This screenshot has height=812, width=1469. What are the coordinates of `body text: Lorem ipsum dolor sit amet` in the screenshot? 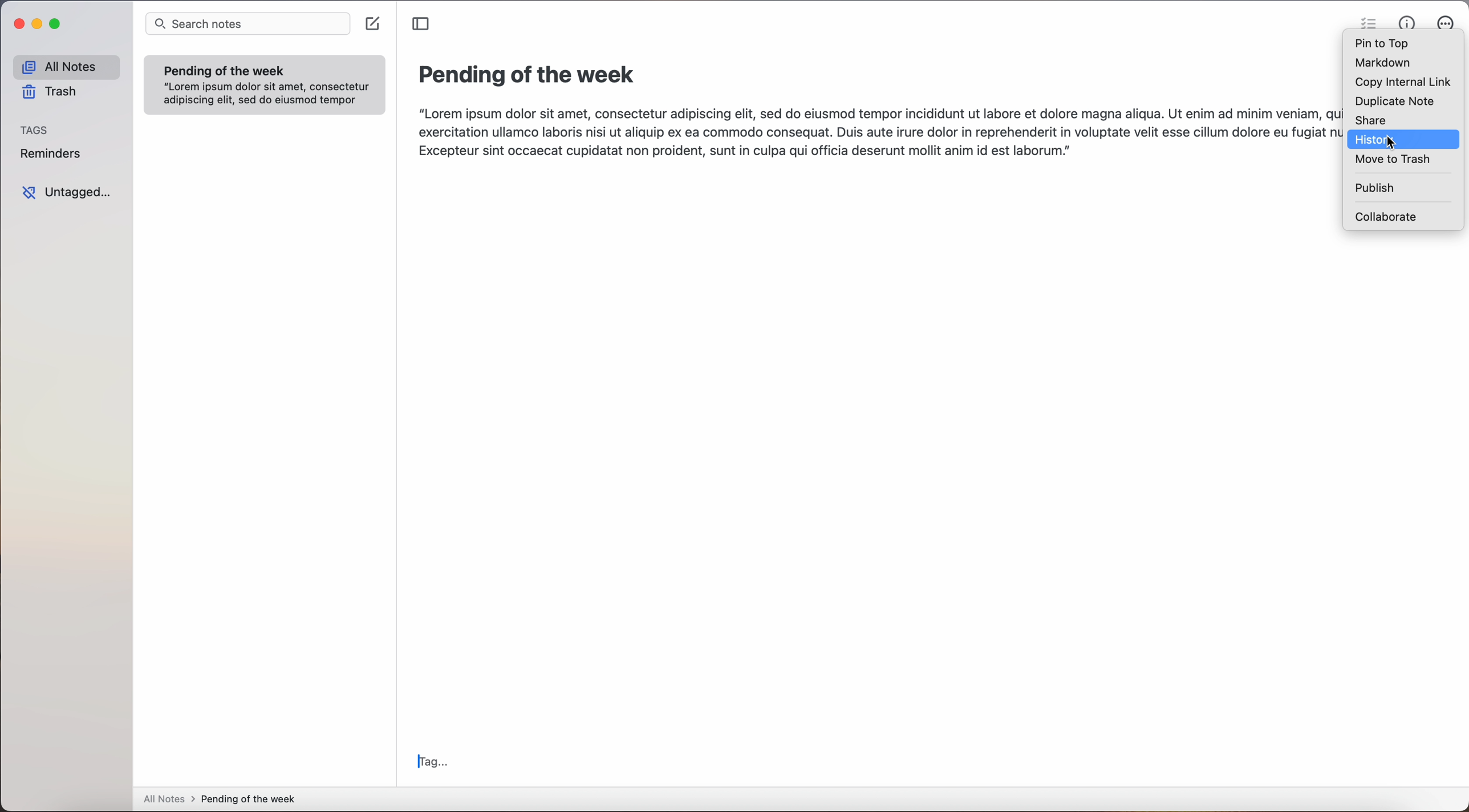 It's located at (876, 132).